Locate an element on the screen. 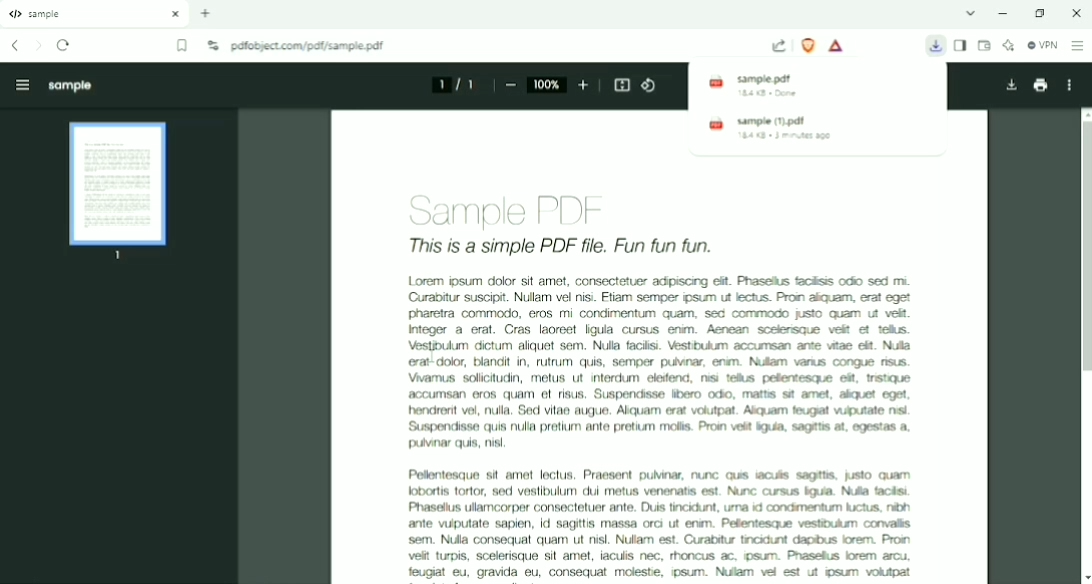 This screenshot has width=1092, height=584. Wallet is located at coordinates (984, 46).